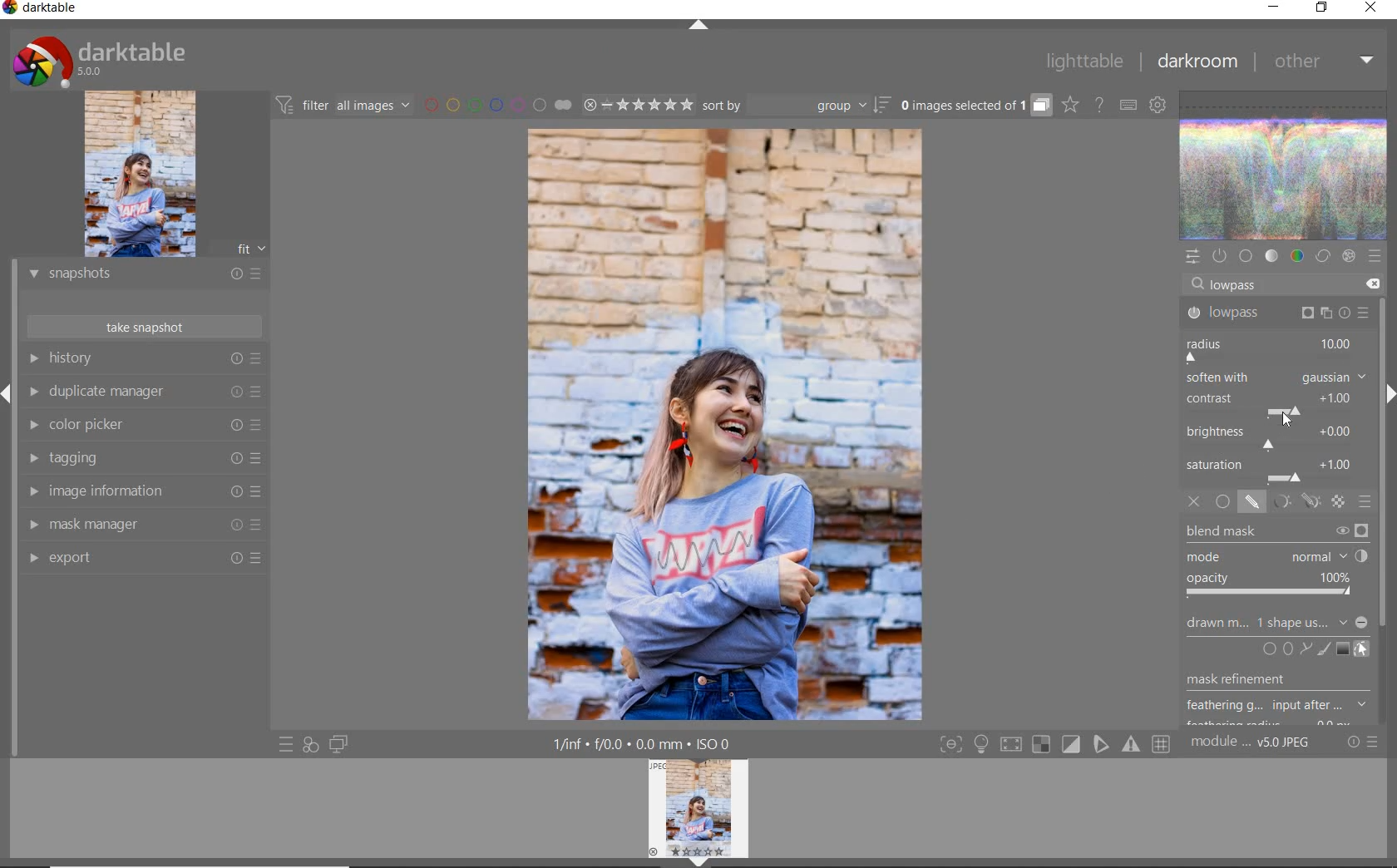 The image size is (1397, 868). Describe the element at coordinates (1293, 502) in the screenshot. I see `mask options` at that location.